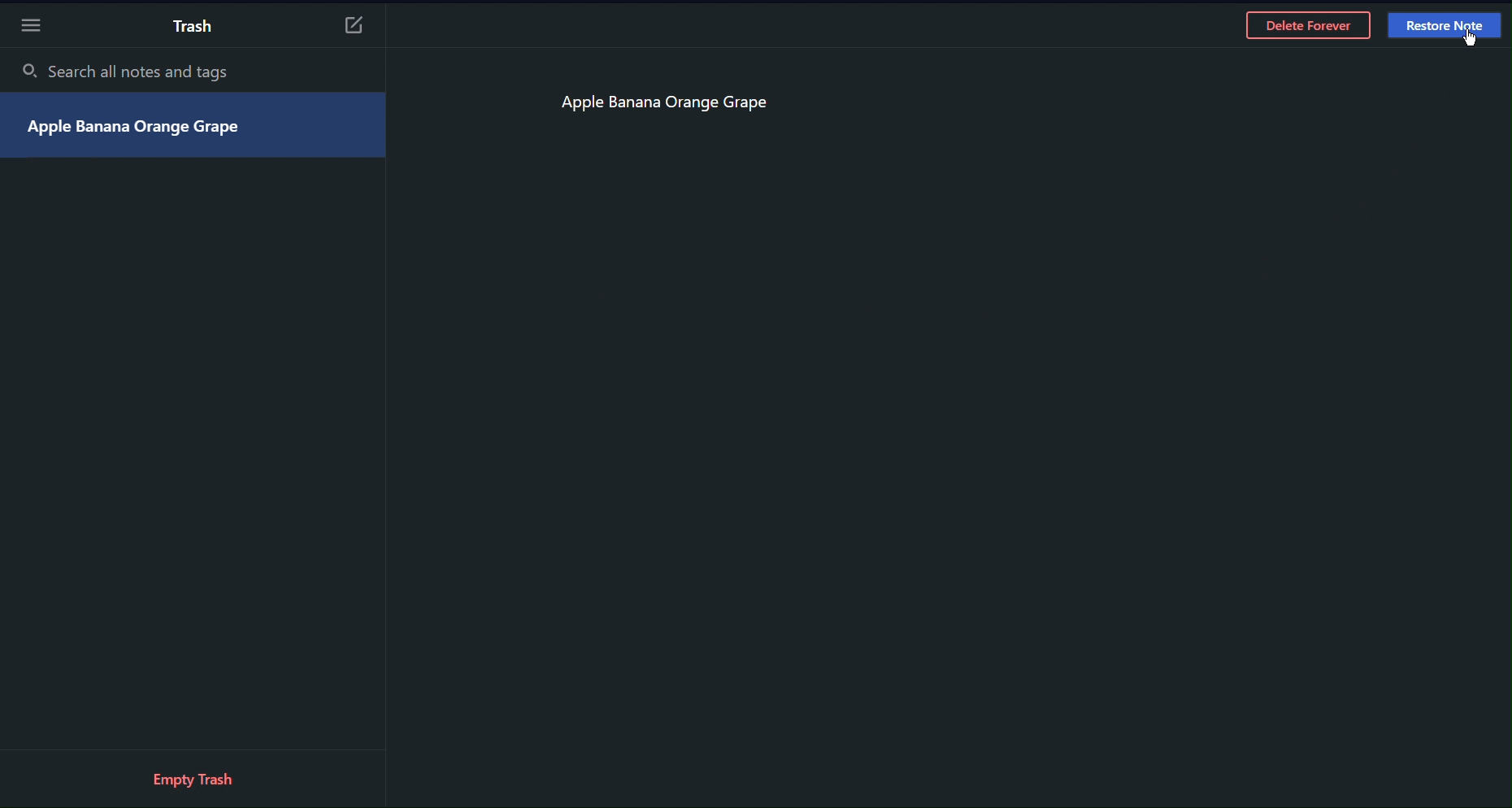 This screenshot has height=808, width=1512. What do you see at coordinates (352, 22) in the screenshot?
I see `New Notes` at bounding box center [352, 22].